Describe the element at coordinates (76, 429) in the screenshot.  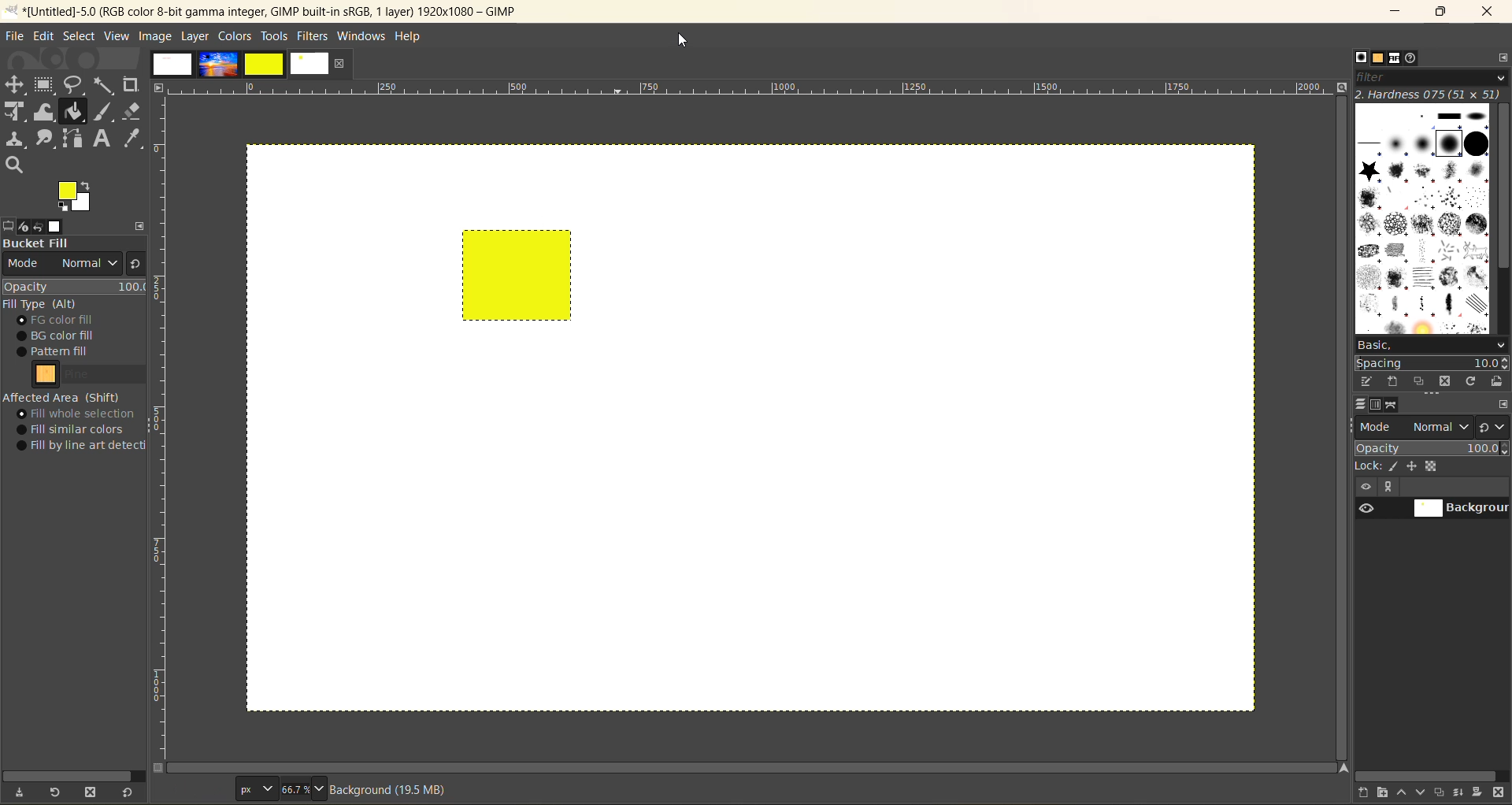
I see `fill similar colors` at that location.